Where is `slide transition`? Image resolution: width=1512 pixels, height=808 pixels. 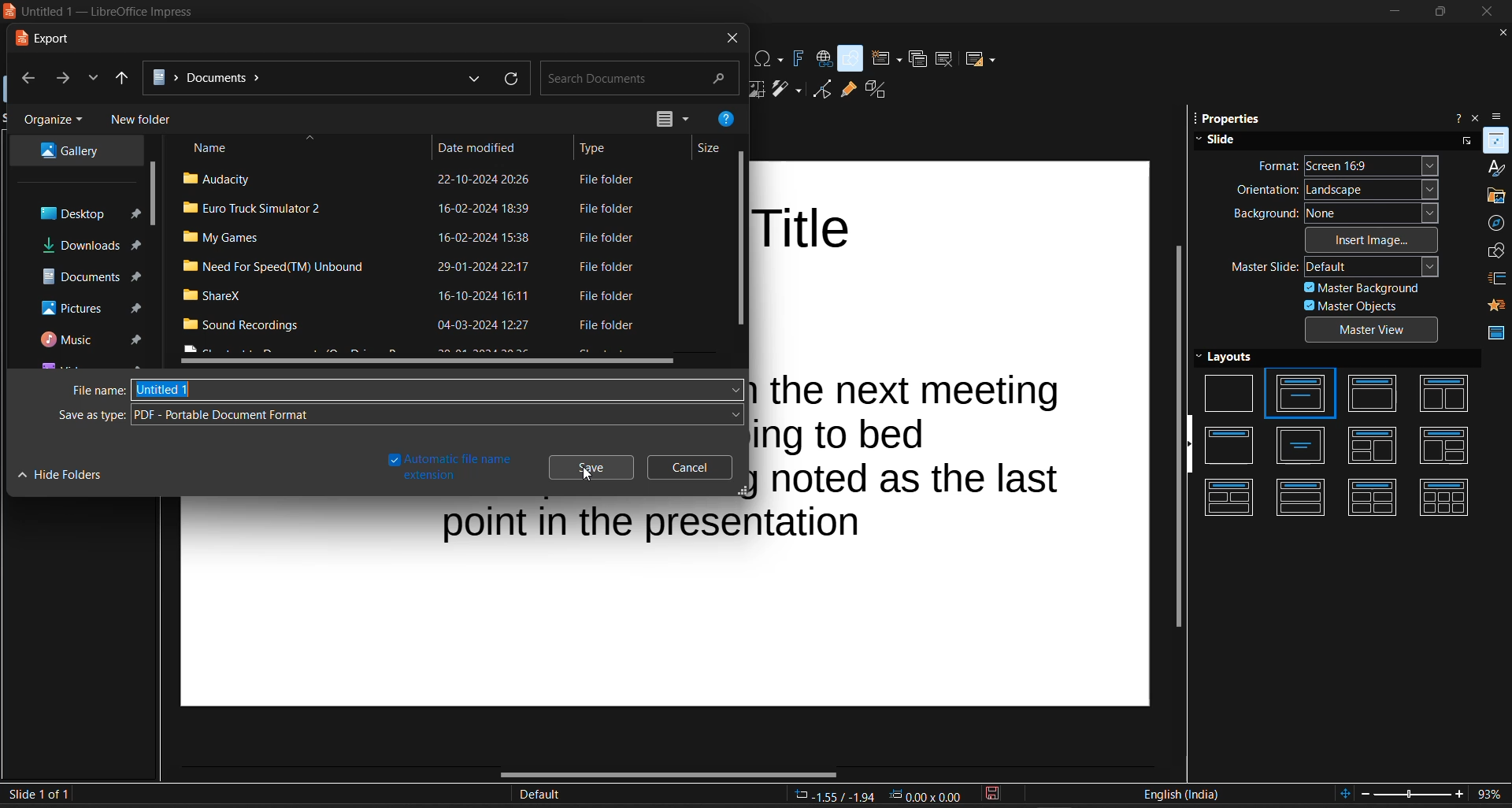 slide transition is located at coordinates (1497, 279).